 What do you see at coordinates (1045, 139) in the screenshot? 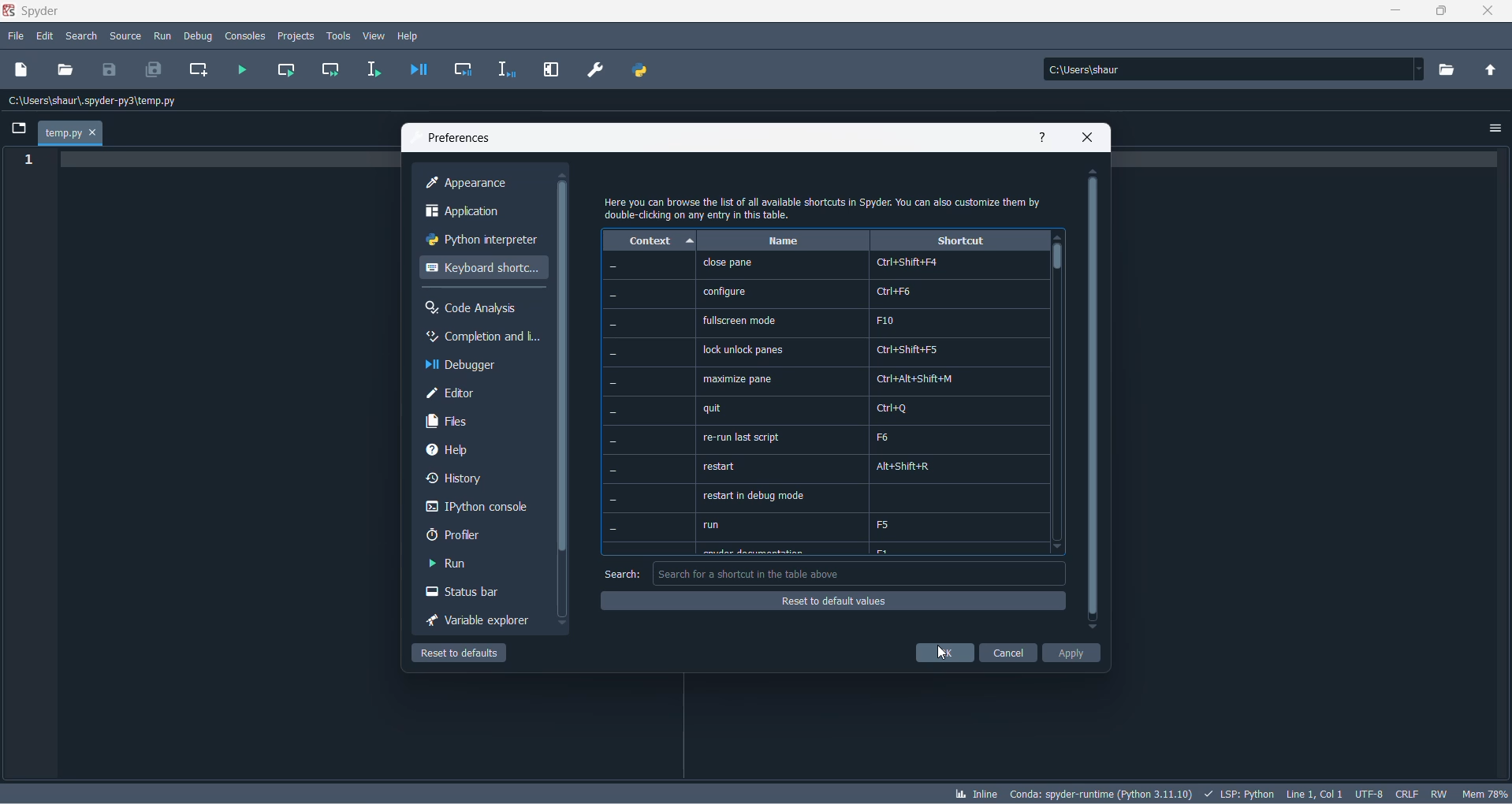
I see `help` at bounding box center [1045, 139].